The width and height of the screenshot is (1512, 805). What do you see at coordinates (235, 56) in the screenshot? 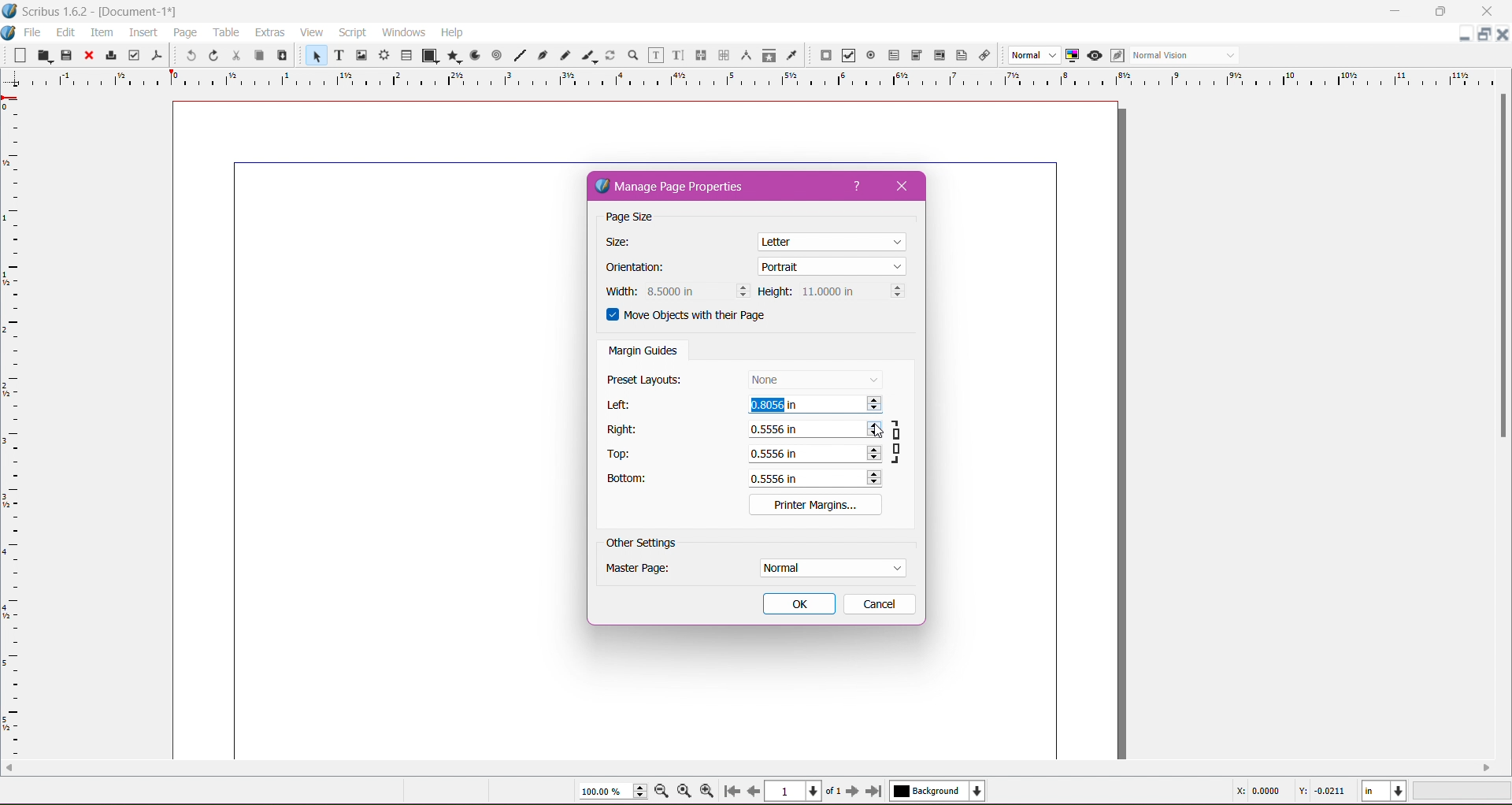
I see `Cut` at bounding box center [235, 56].